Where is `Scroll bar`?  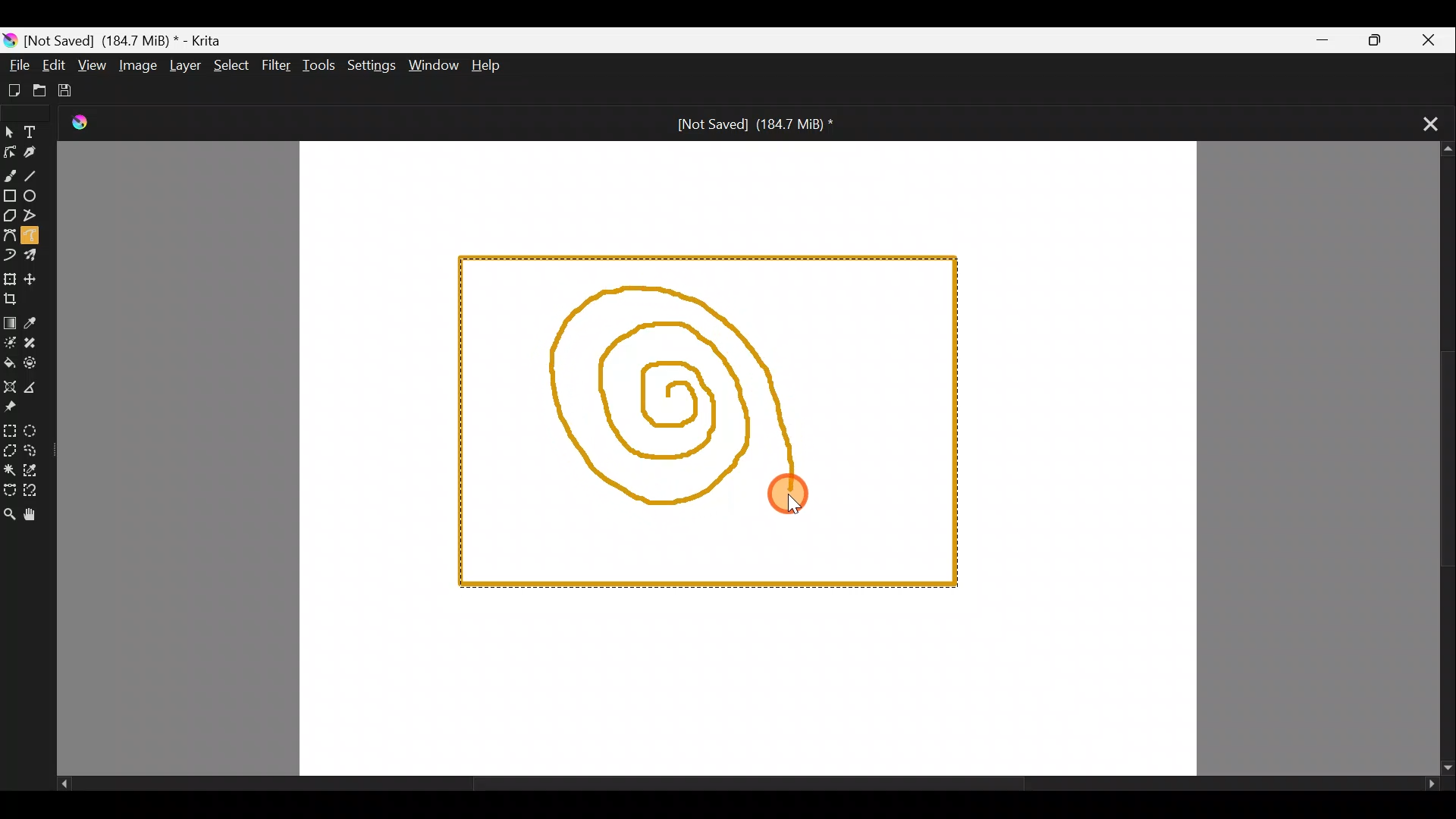
Scroll bar is located at coordinates (742, 786).